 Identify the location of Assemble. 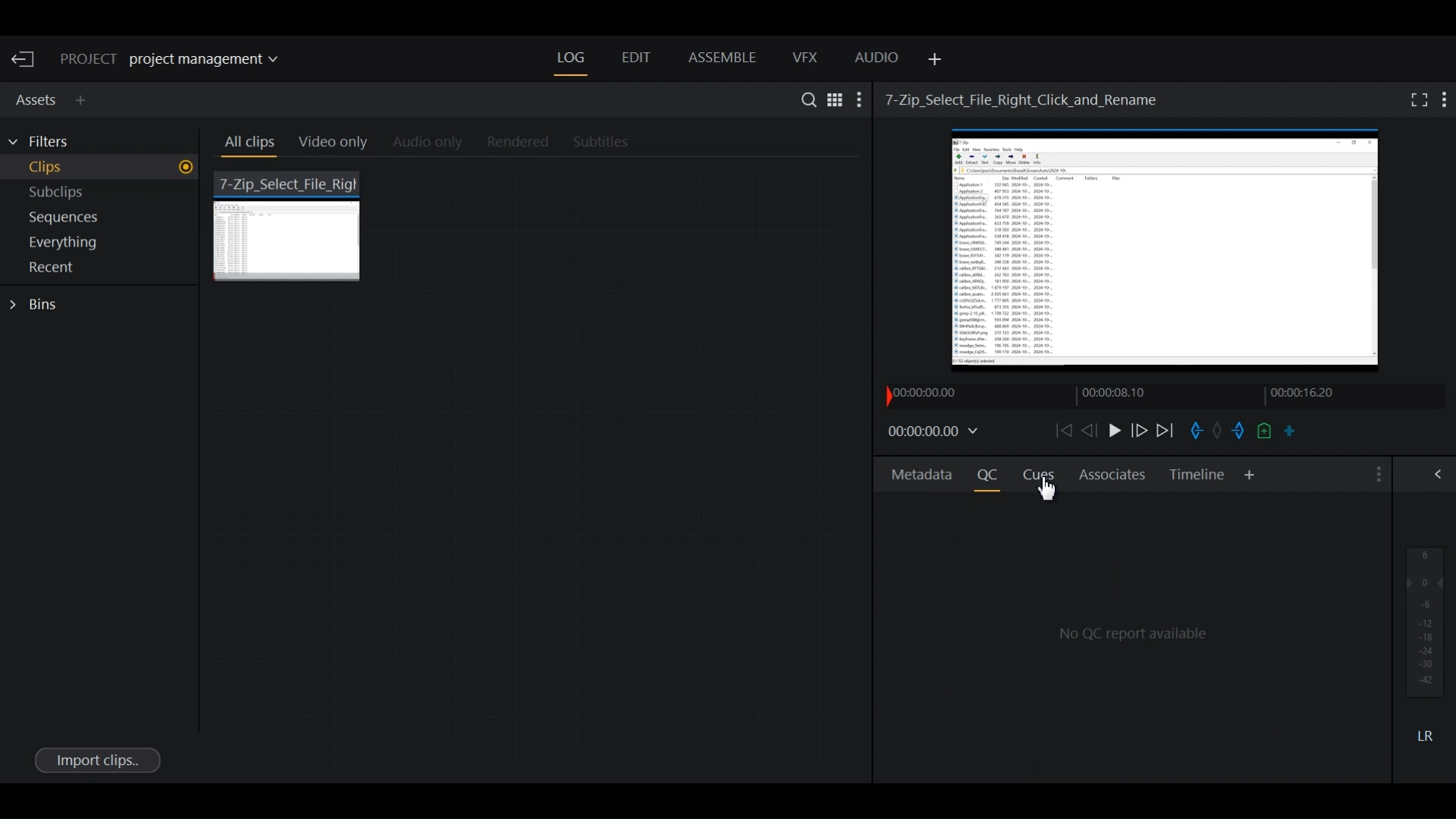
(722, 58).